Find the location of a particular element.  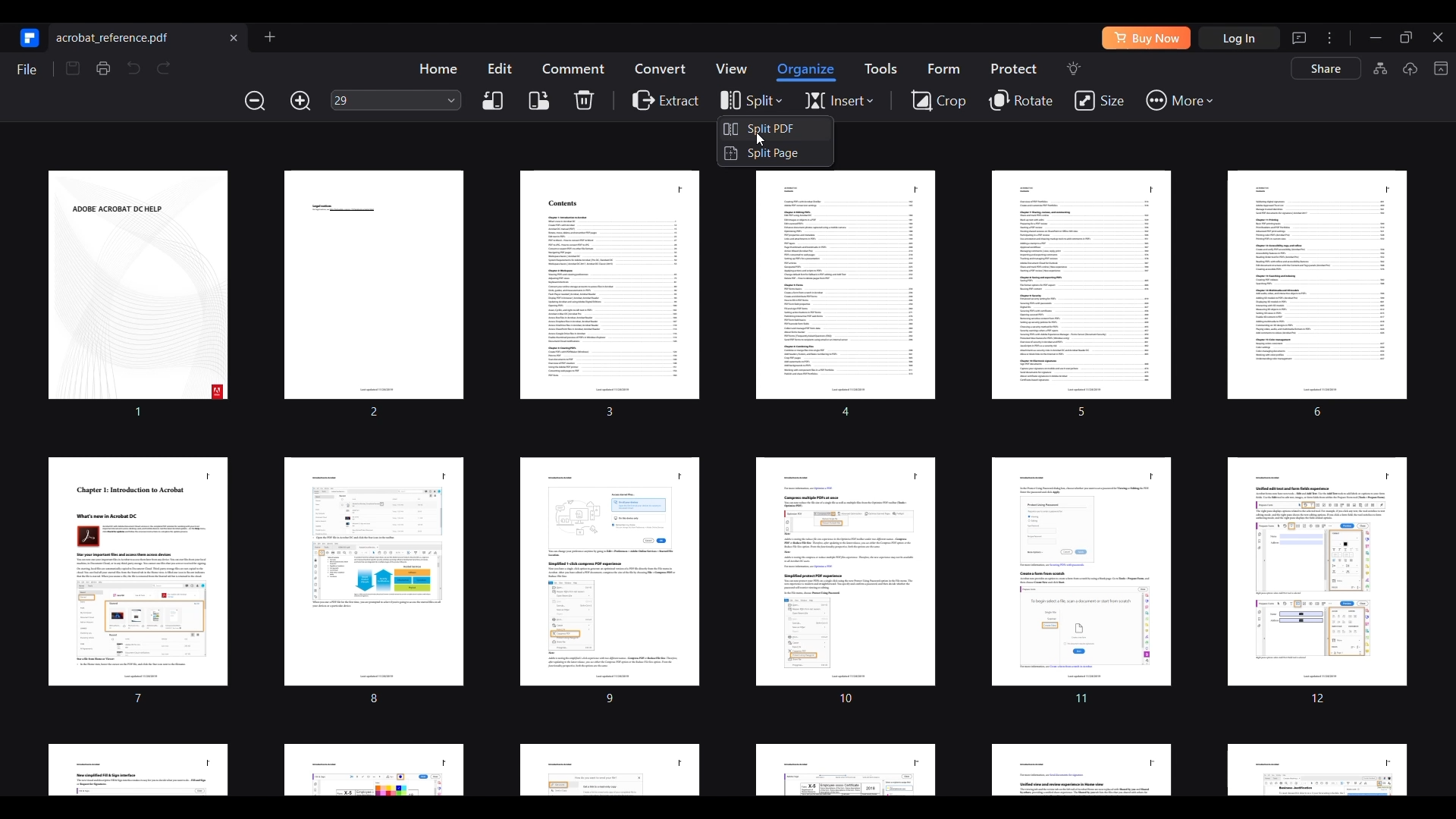

Upload to cloud is located at coordinates (1410, 68).